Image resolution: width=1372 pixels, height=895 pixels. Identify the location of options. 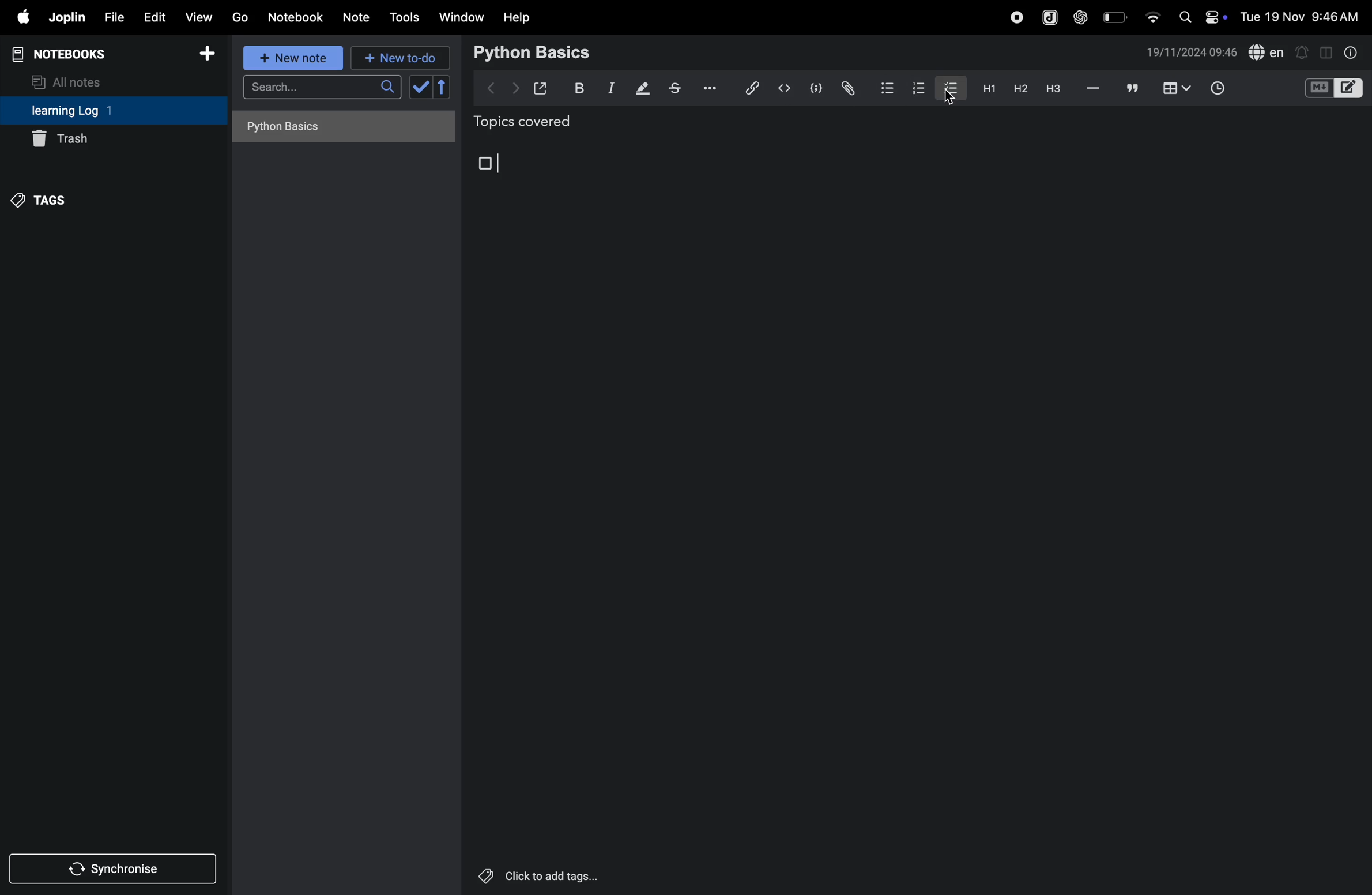
(707, 87).